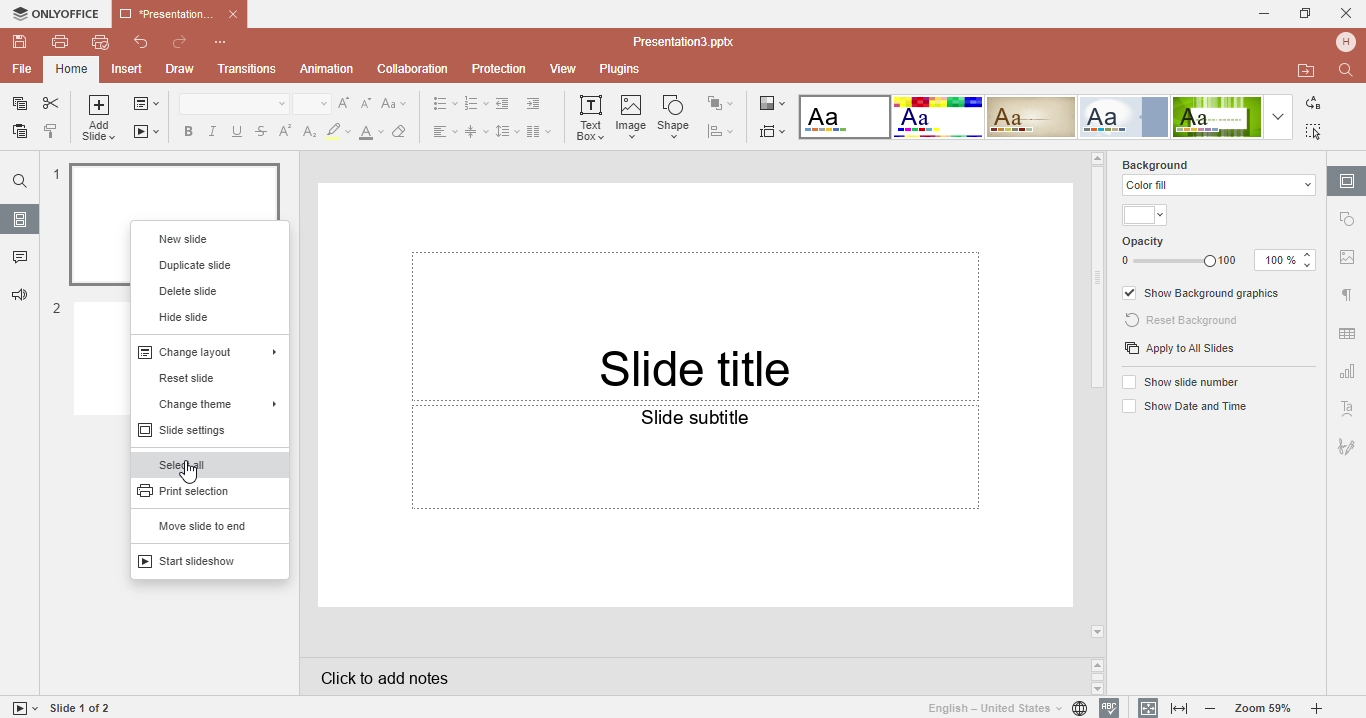 Image resolution: width=1366 pixels, height=718 pixels. I want to click on Maximize, so click(1306, 12).